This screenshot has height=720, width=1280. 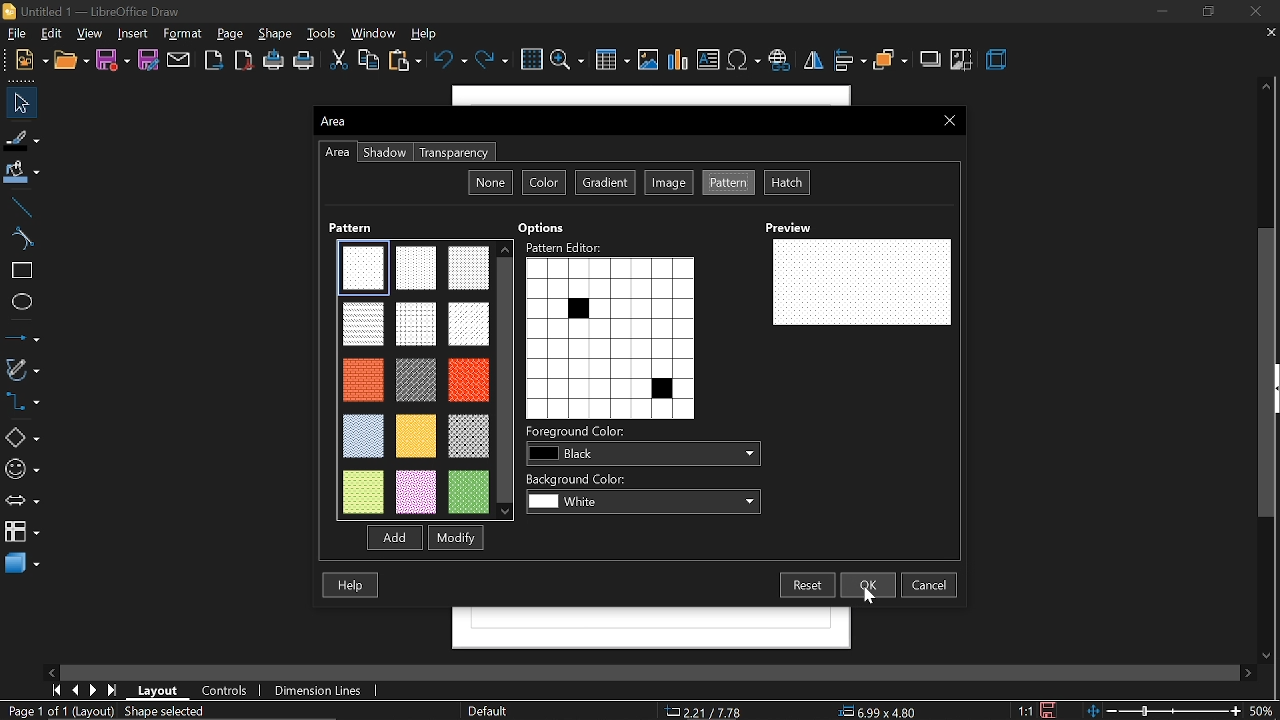 What do you see at coordinates (1001, 61) in the screenshot?
I see `3d effect` at bounding box center [1001, 61].